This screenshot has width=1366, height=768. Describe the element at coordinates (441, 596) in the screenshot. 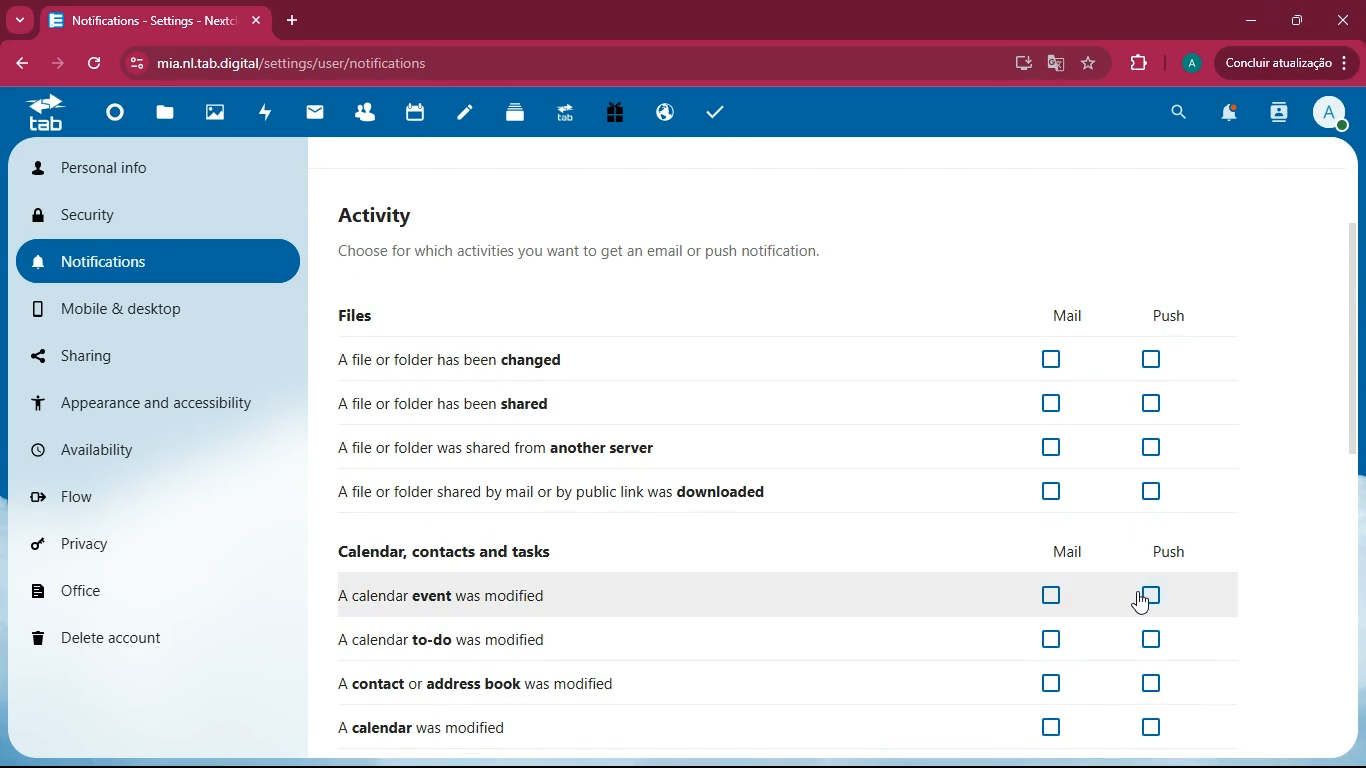

I see `A calendar event was modified` at that location.